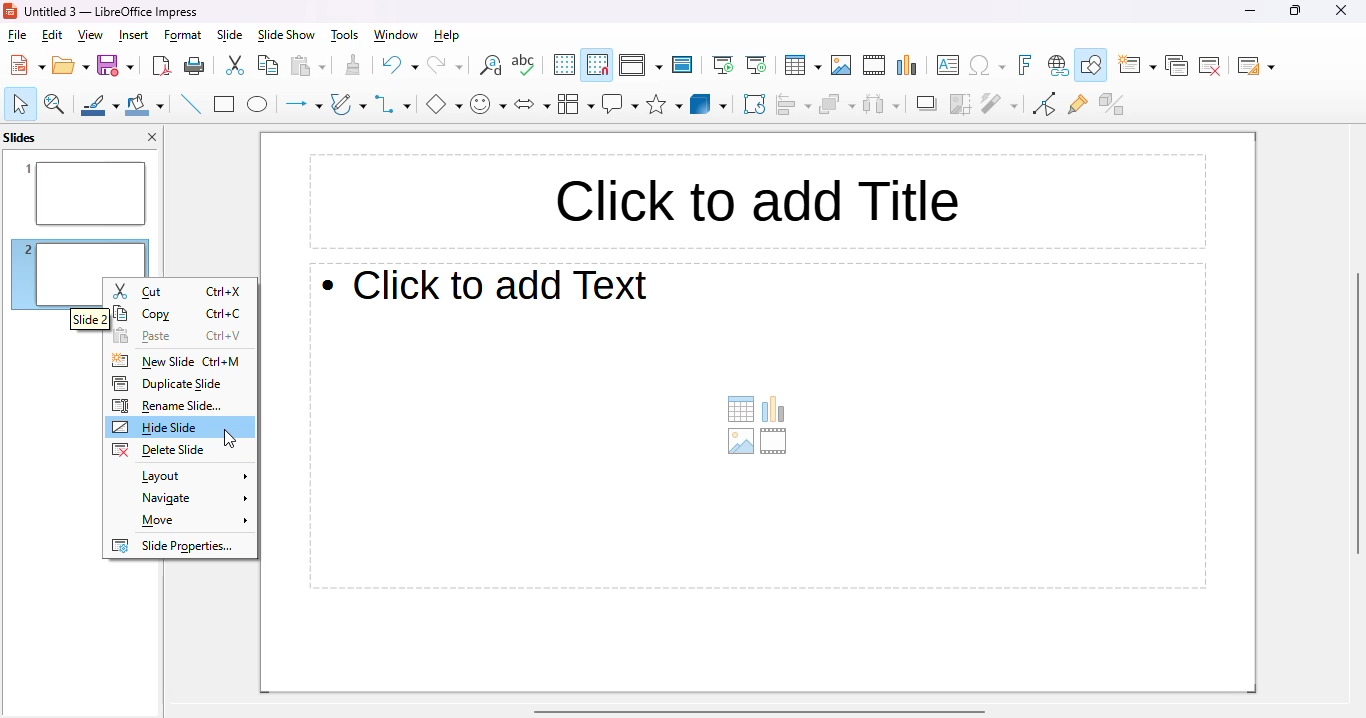 This screenshot has width=1366, height=718. What do you see at coordinates (307, 66) in the screenshot?
I see `paste` at bounding box center [307, 66].